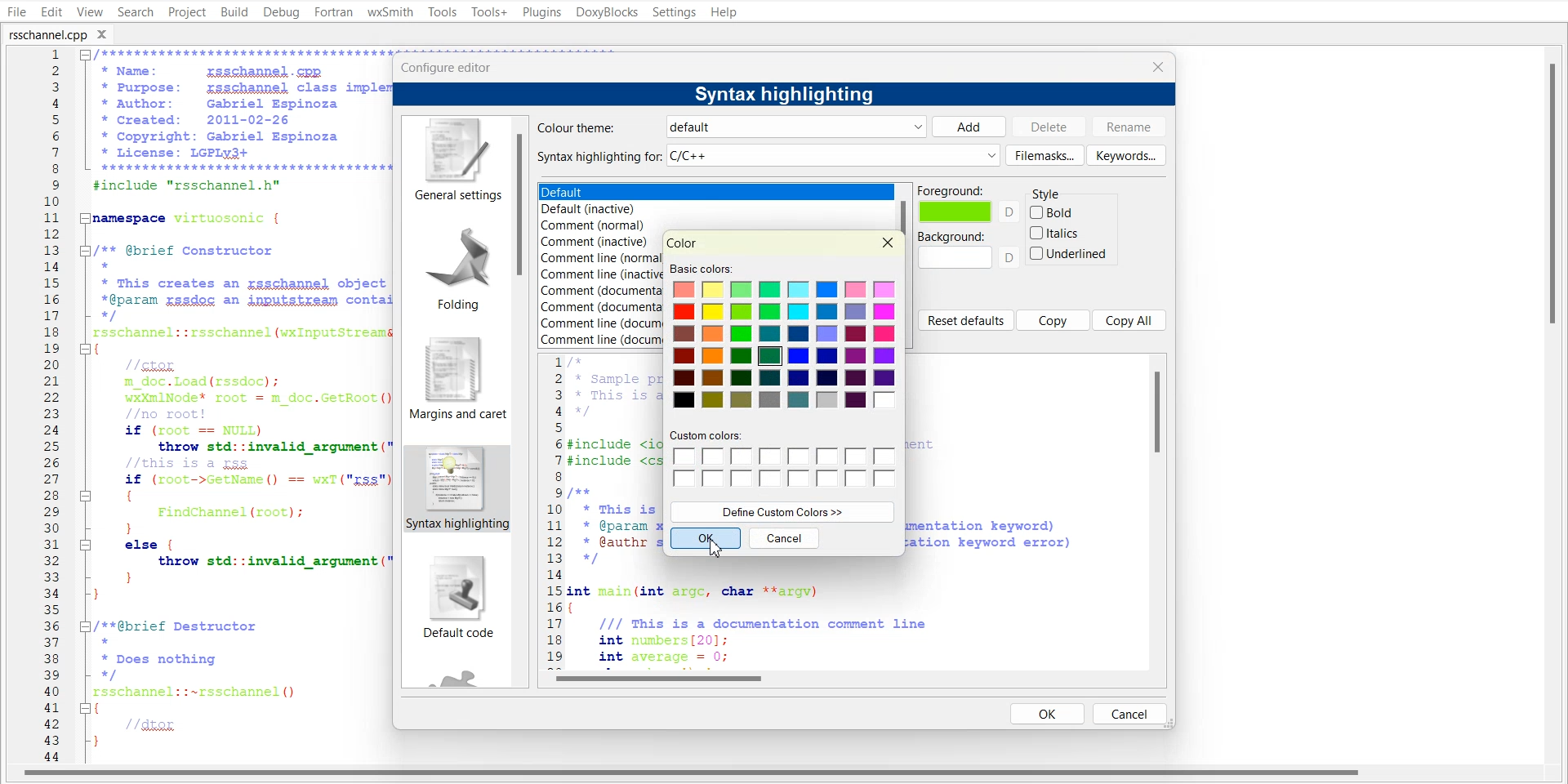  I want to click on Plugins, so click(541, 11).